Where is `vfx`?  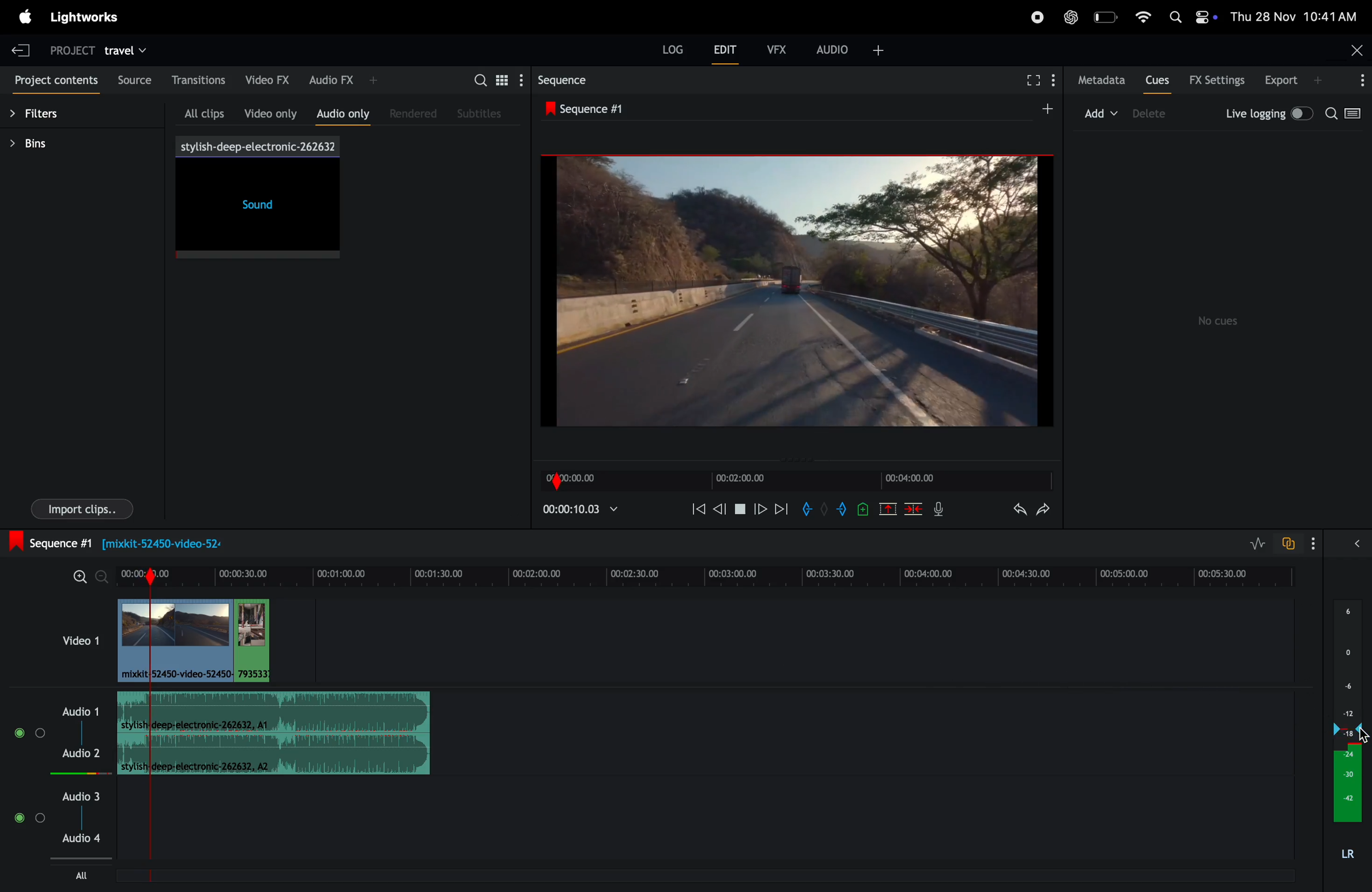 vfx is located at coordinates (775, 49).